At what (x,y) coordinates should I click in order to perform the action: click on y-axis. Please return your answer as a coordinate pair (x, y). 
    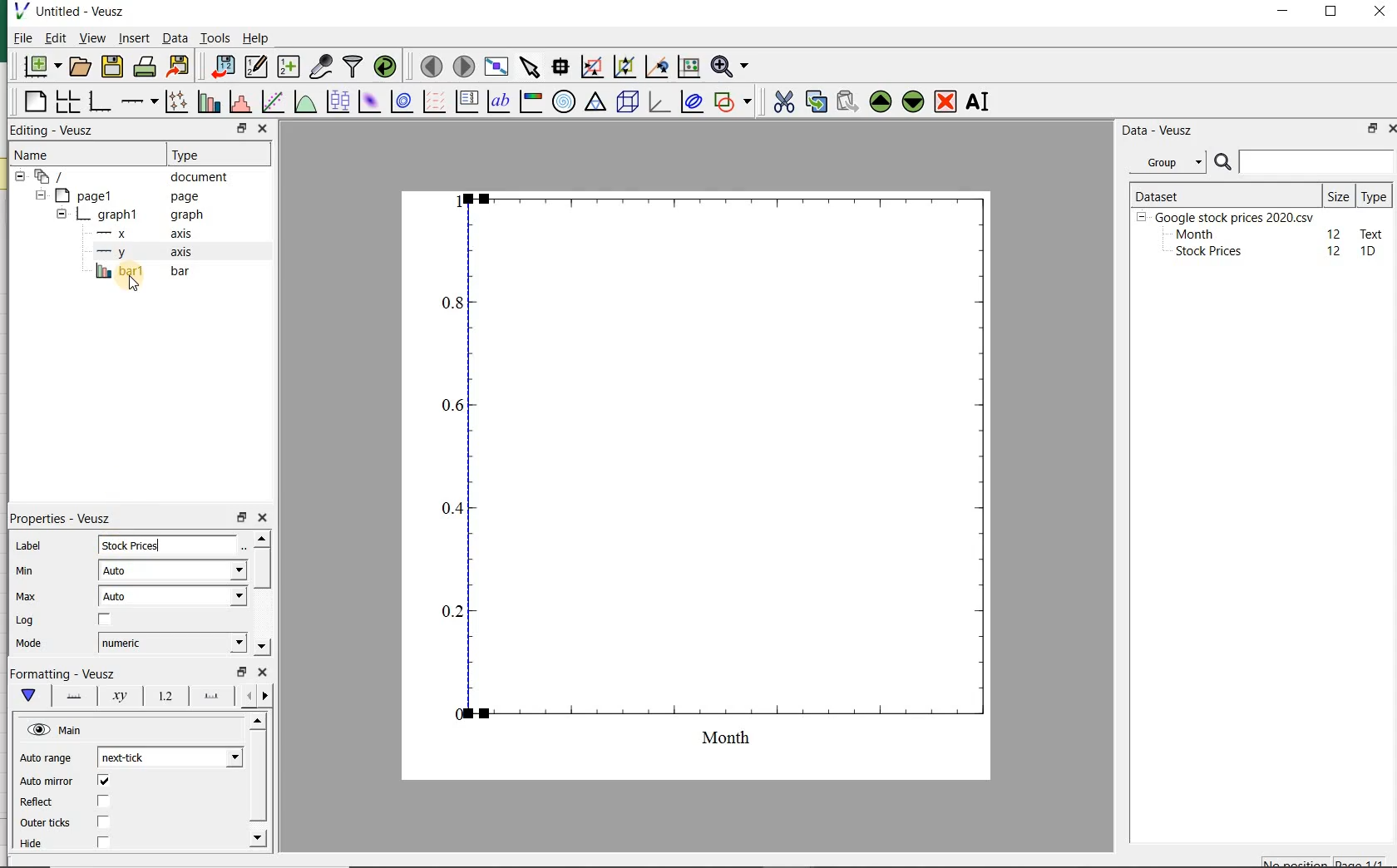
    Looking at the image, I should click on (141, 253).